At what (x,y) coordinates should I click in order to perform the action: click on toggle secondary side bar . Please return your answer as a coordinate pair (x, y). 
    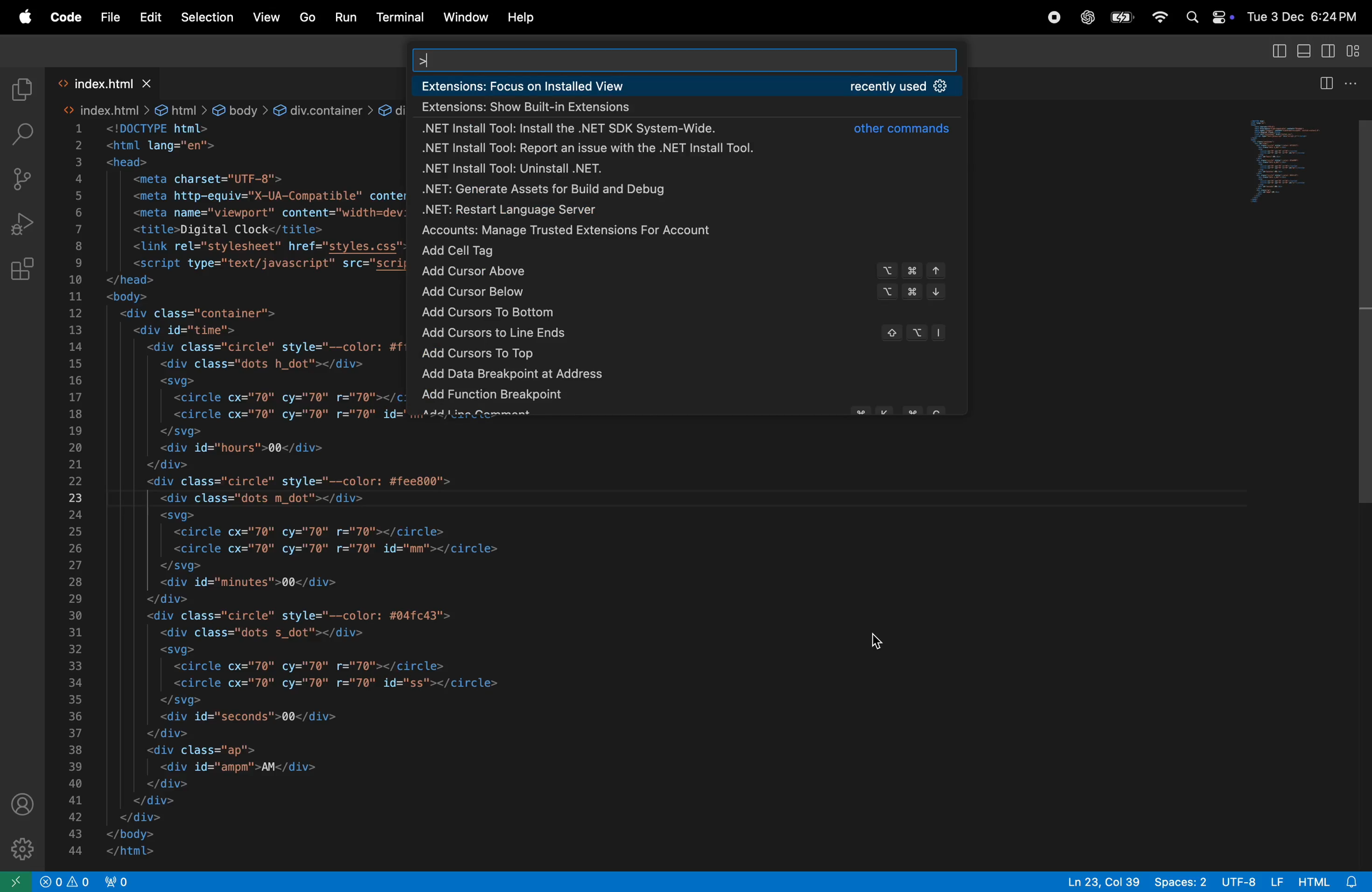
    Looking at the image, I should click on (1327, 50).